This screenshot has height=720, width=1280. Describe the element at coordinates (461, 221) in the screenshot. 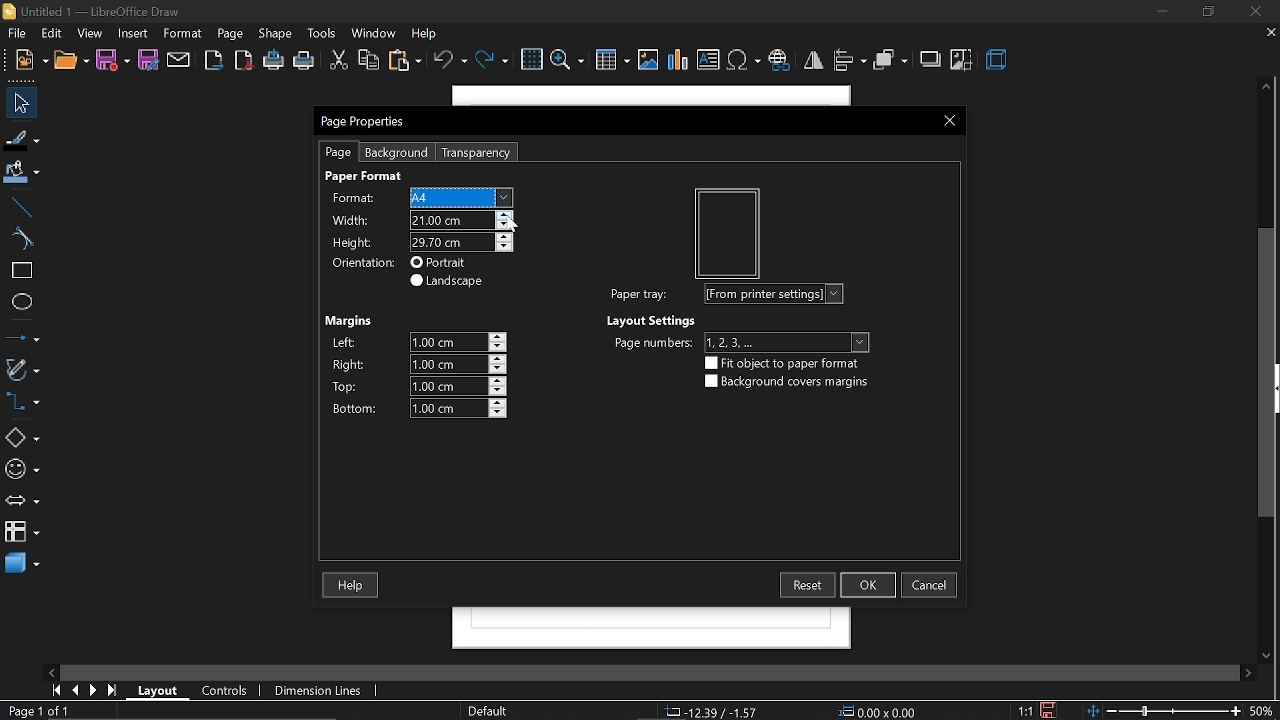

I see `21.40cm` at that location.